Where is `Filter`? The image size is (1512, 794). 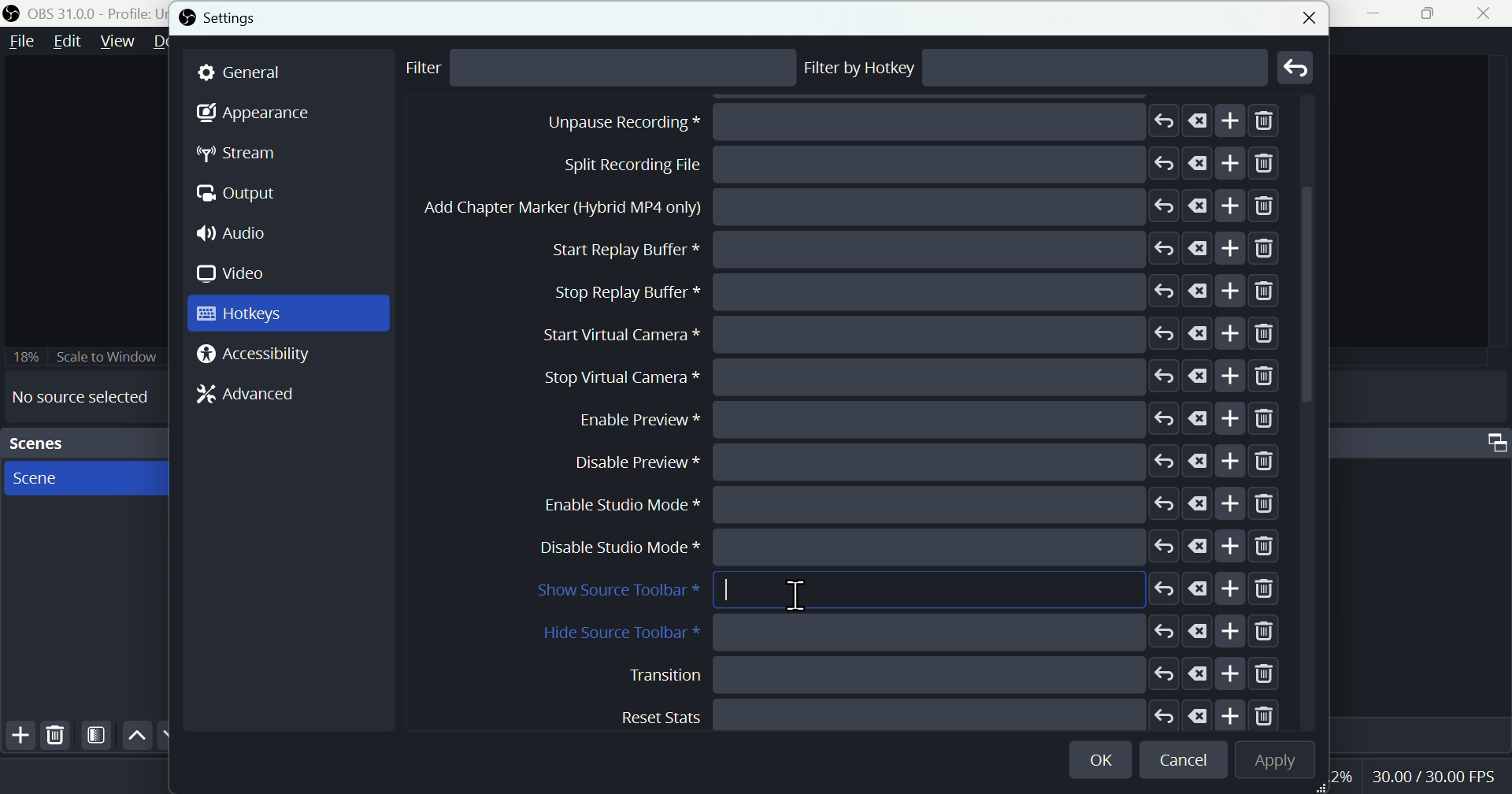
Filter is located at coordinates (435, 69).